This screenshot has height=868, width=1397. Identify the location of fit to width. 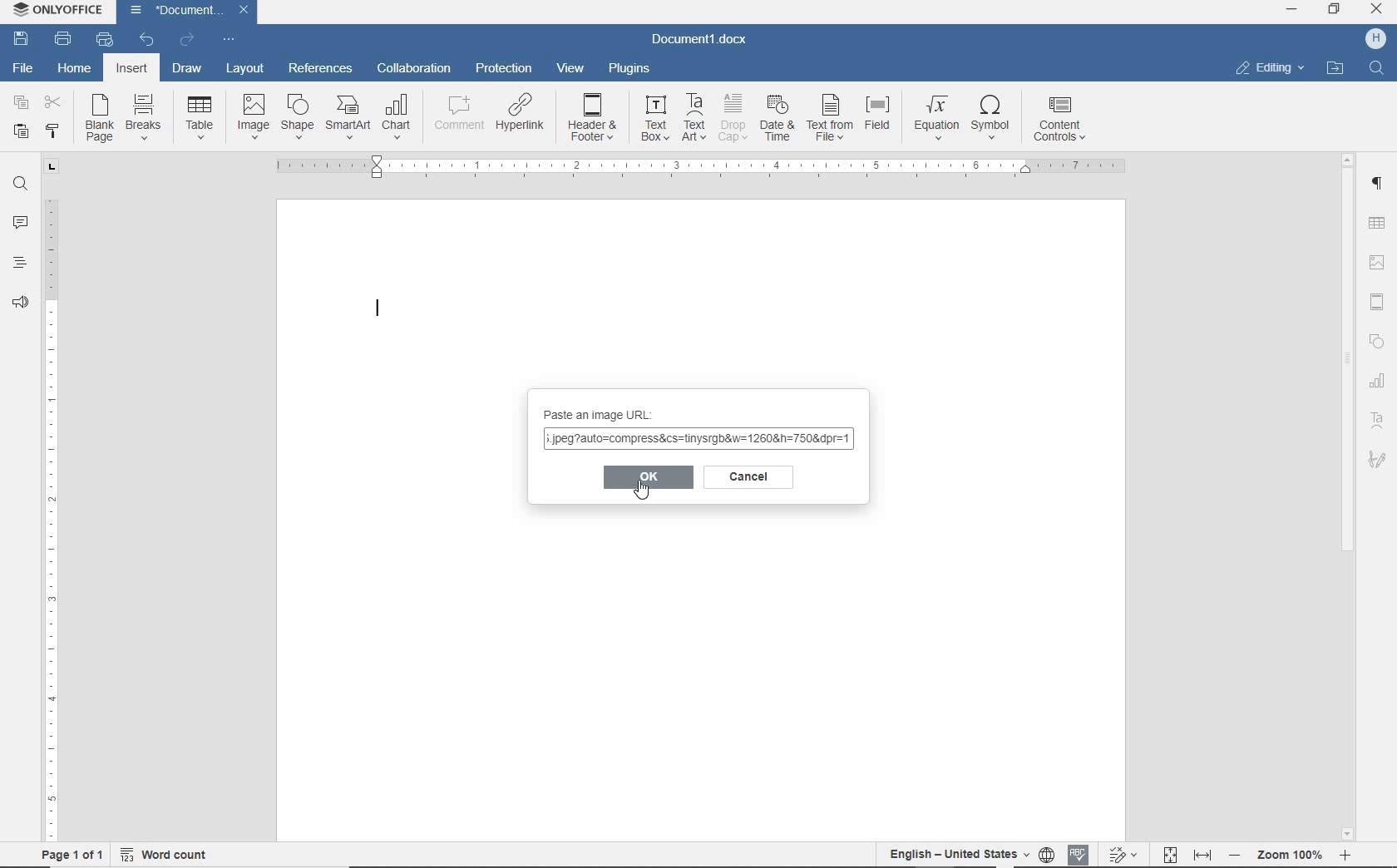
(1202, 856).